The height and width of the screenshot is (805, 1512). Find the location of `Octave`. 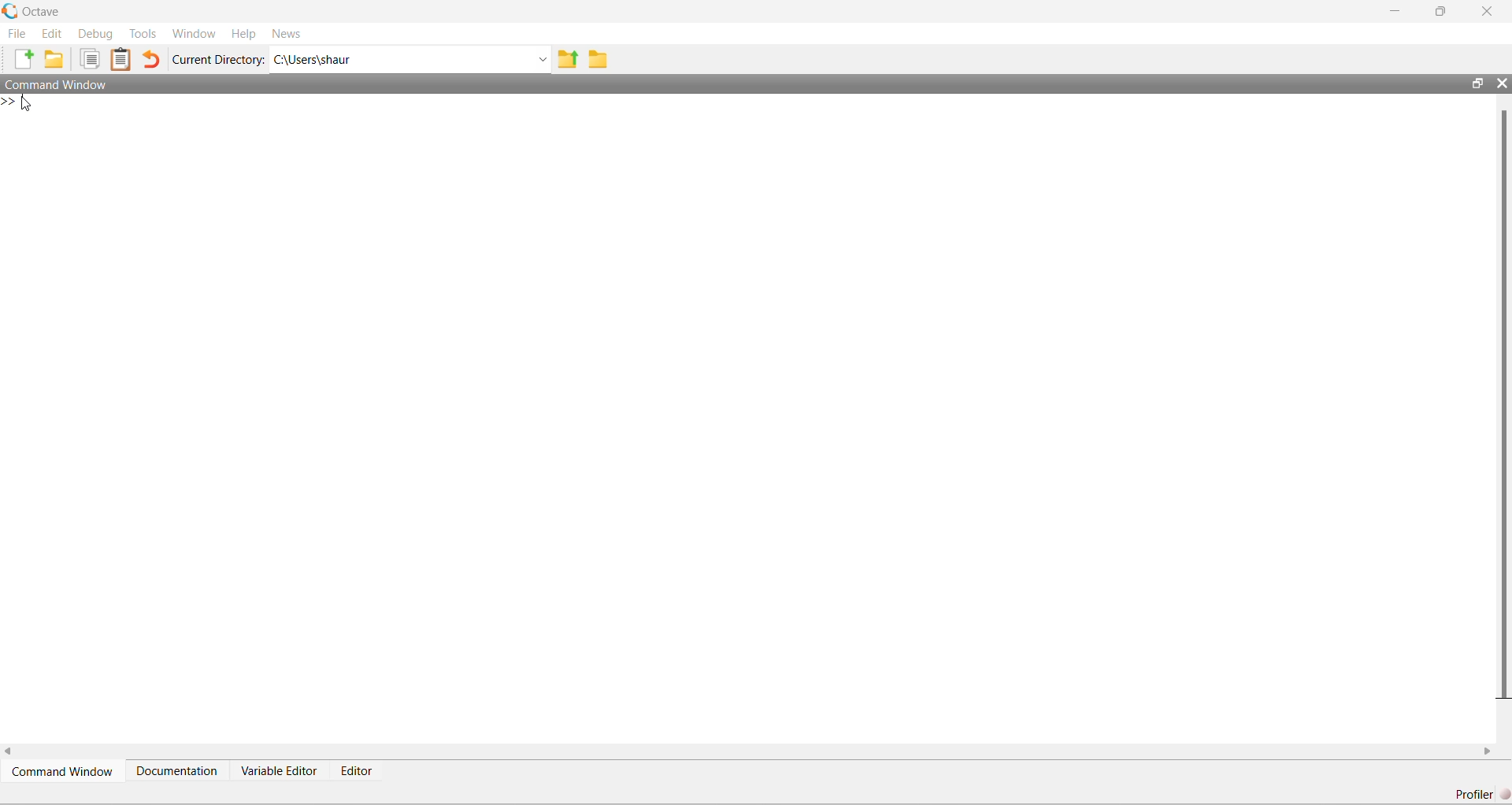

Octave is located at coordinates (41, 12).